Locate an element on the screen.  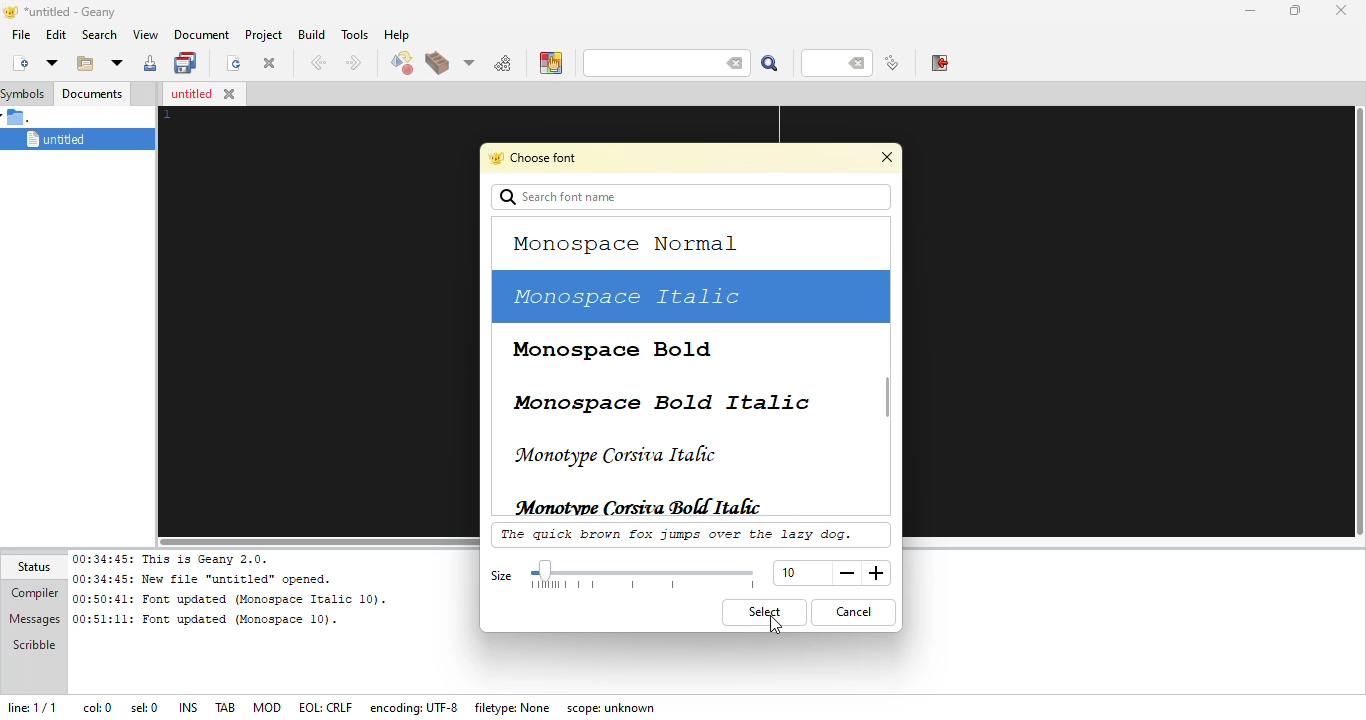
cursor is located at coordinates (778, 626).